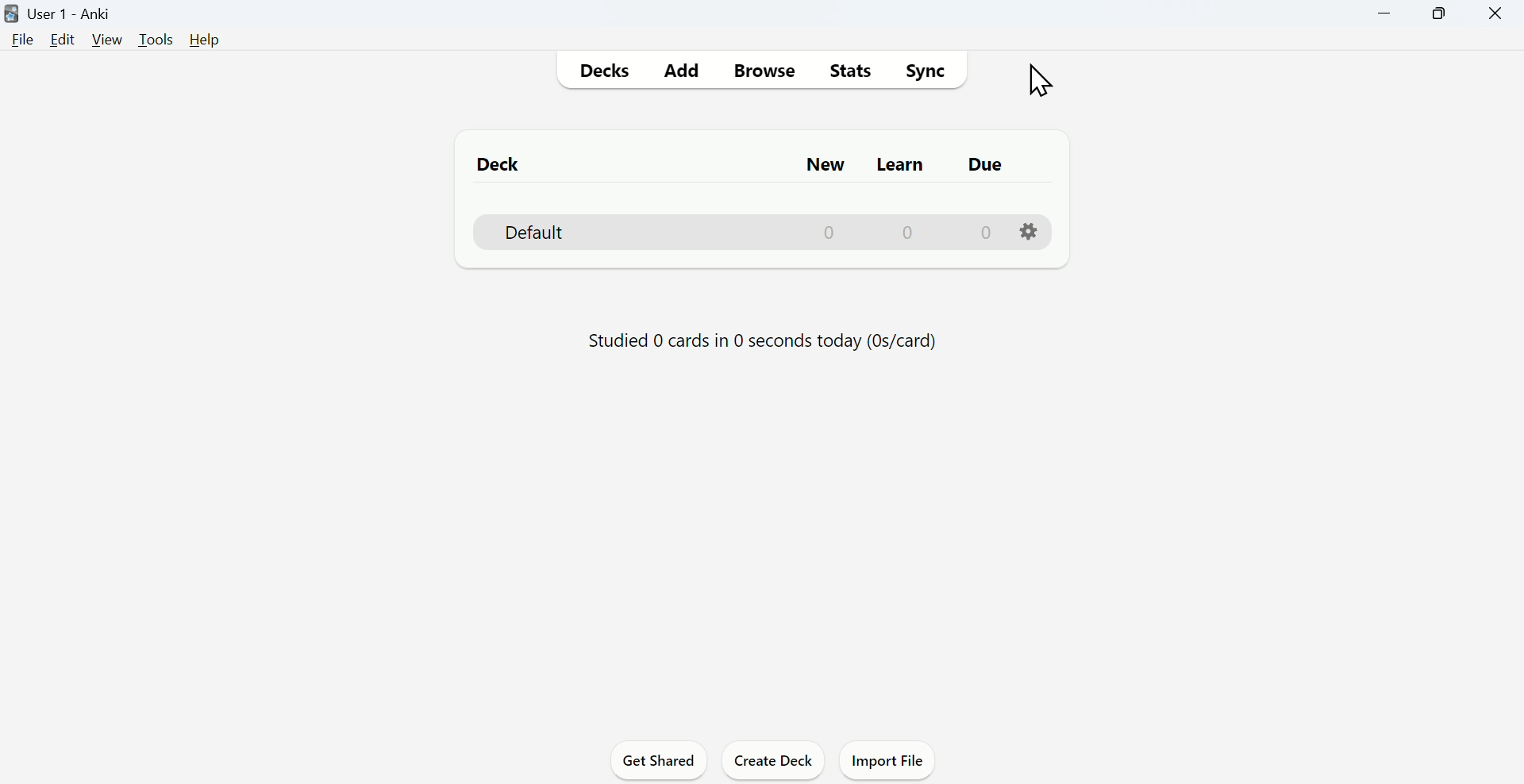  Describe the element at coordinates (989, 167) in the screenshot. I see `Due` at that location.